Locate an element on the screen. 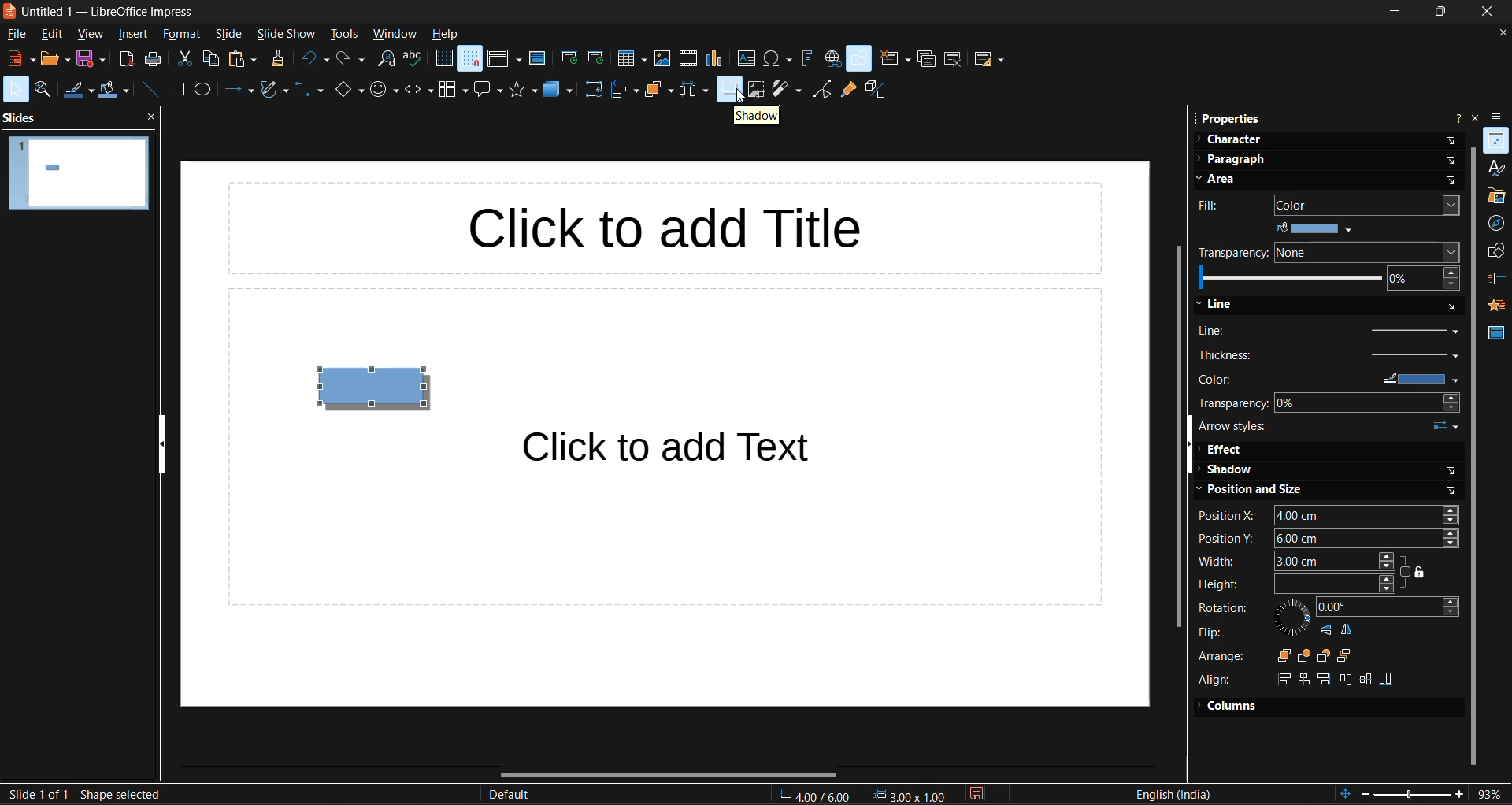 Image resolution: width=1512 pixels, height=805 pixels. more options is located at coordinates (1452, 305).